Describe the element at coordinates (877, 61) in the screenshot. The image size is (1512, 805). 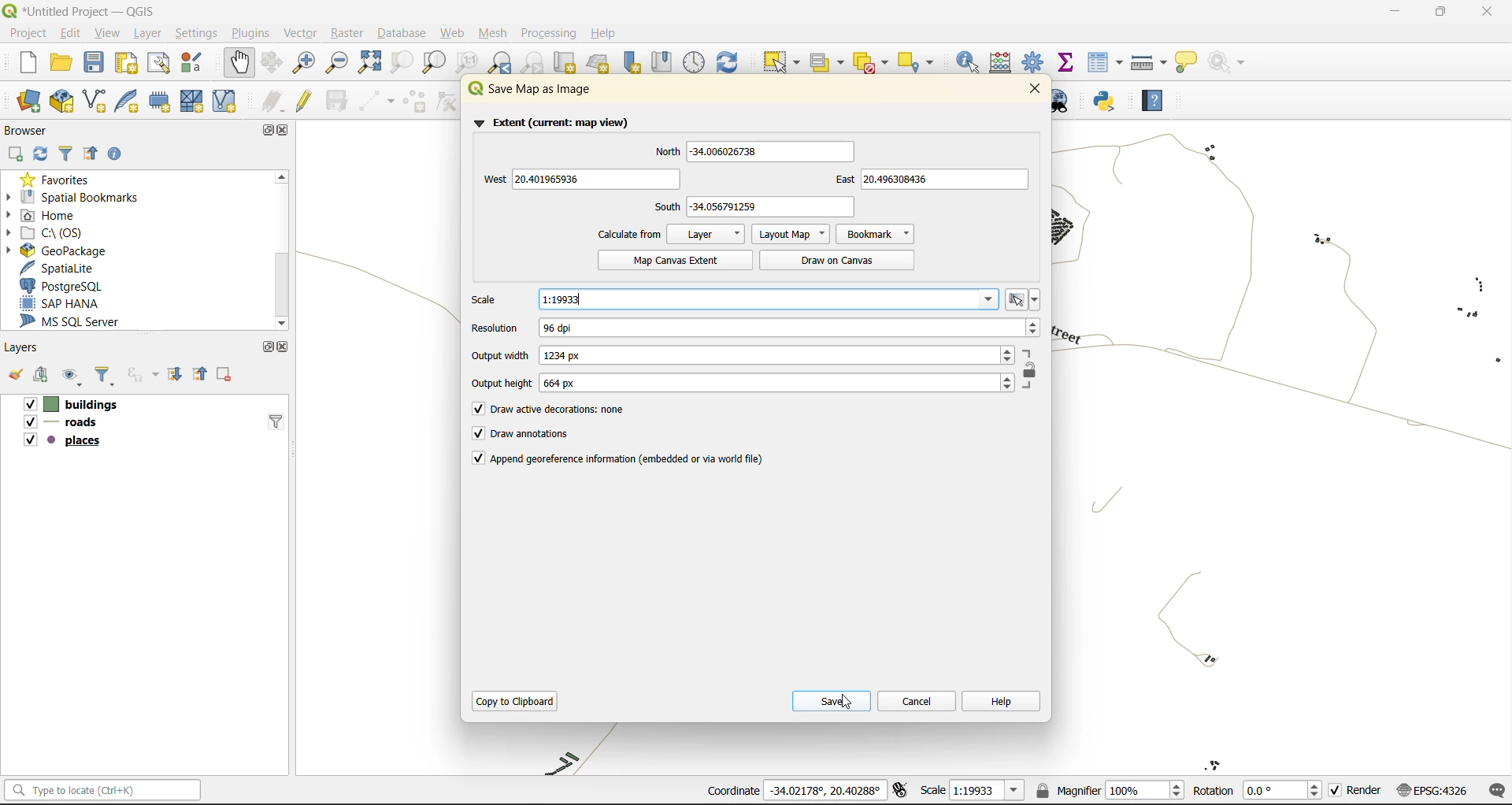
I see `deselect value` at that location.